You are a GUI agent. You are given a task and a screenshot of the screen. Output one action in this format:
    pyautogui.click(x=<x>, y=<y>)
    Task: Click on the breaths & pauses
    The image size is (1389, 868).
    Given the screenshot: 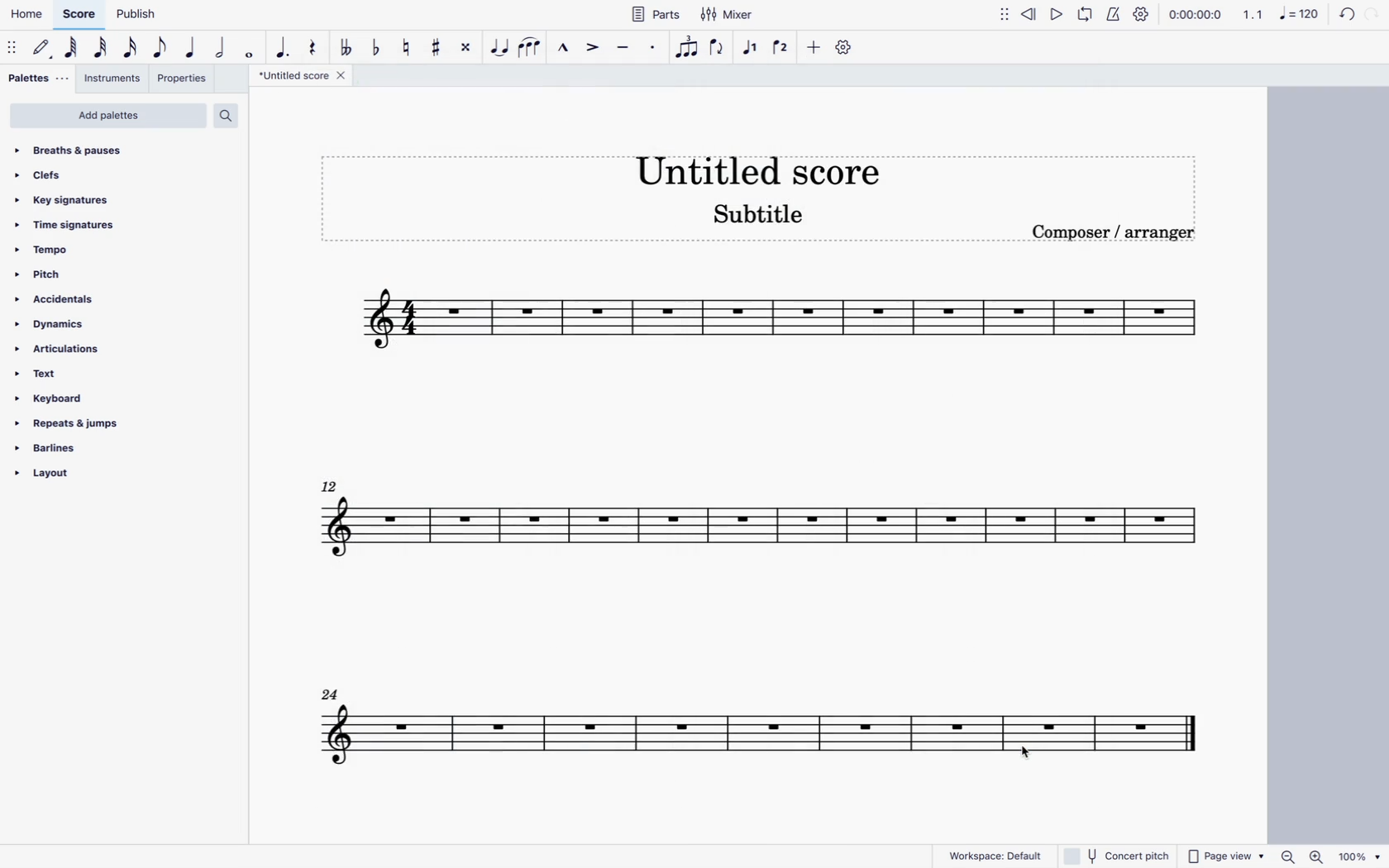 What is the action you would take?
    pyautogui.click(x=77, y=148)
    